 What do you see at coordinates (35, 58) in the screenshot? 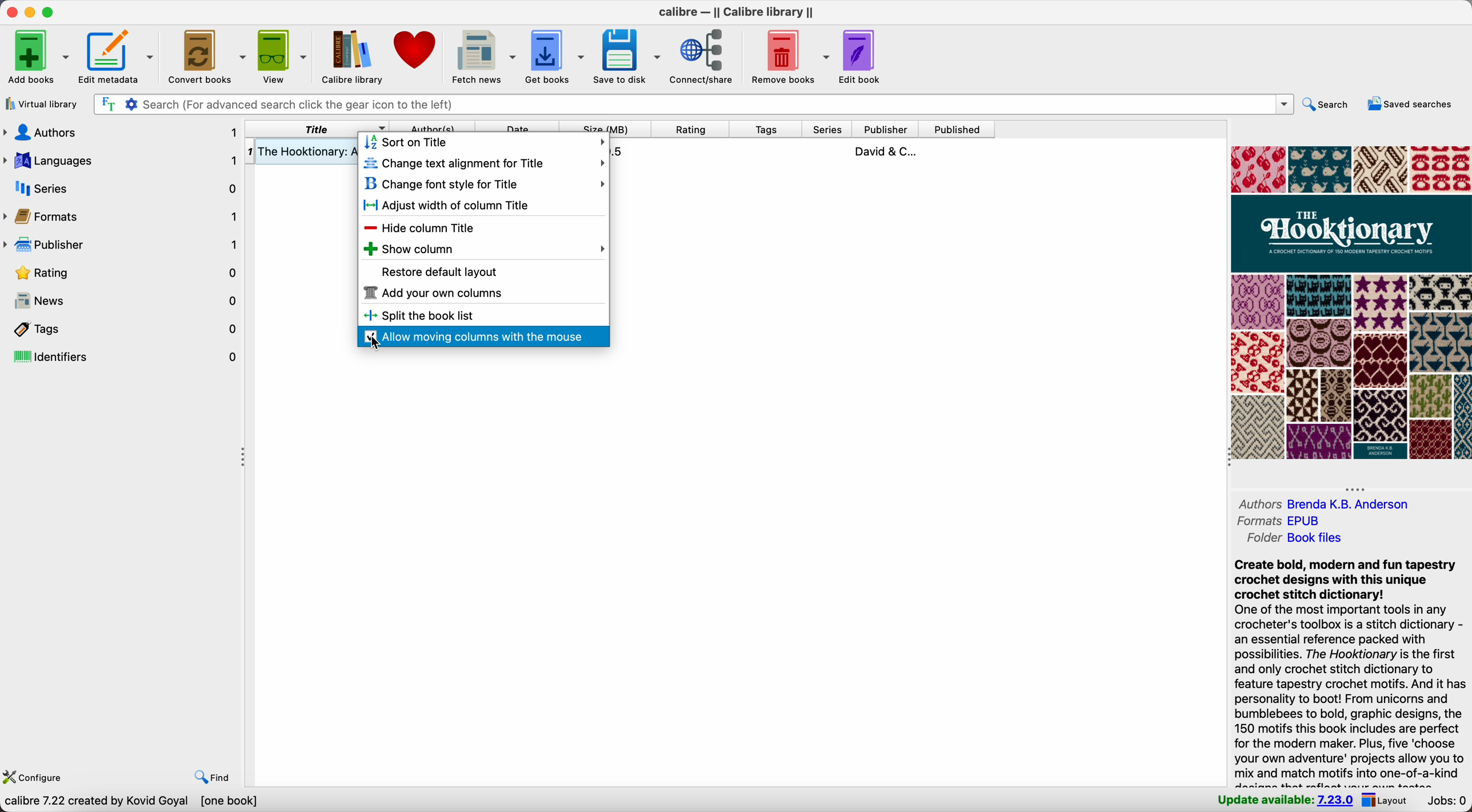
I see `add books` at bounding box center [35, 58].